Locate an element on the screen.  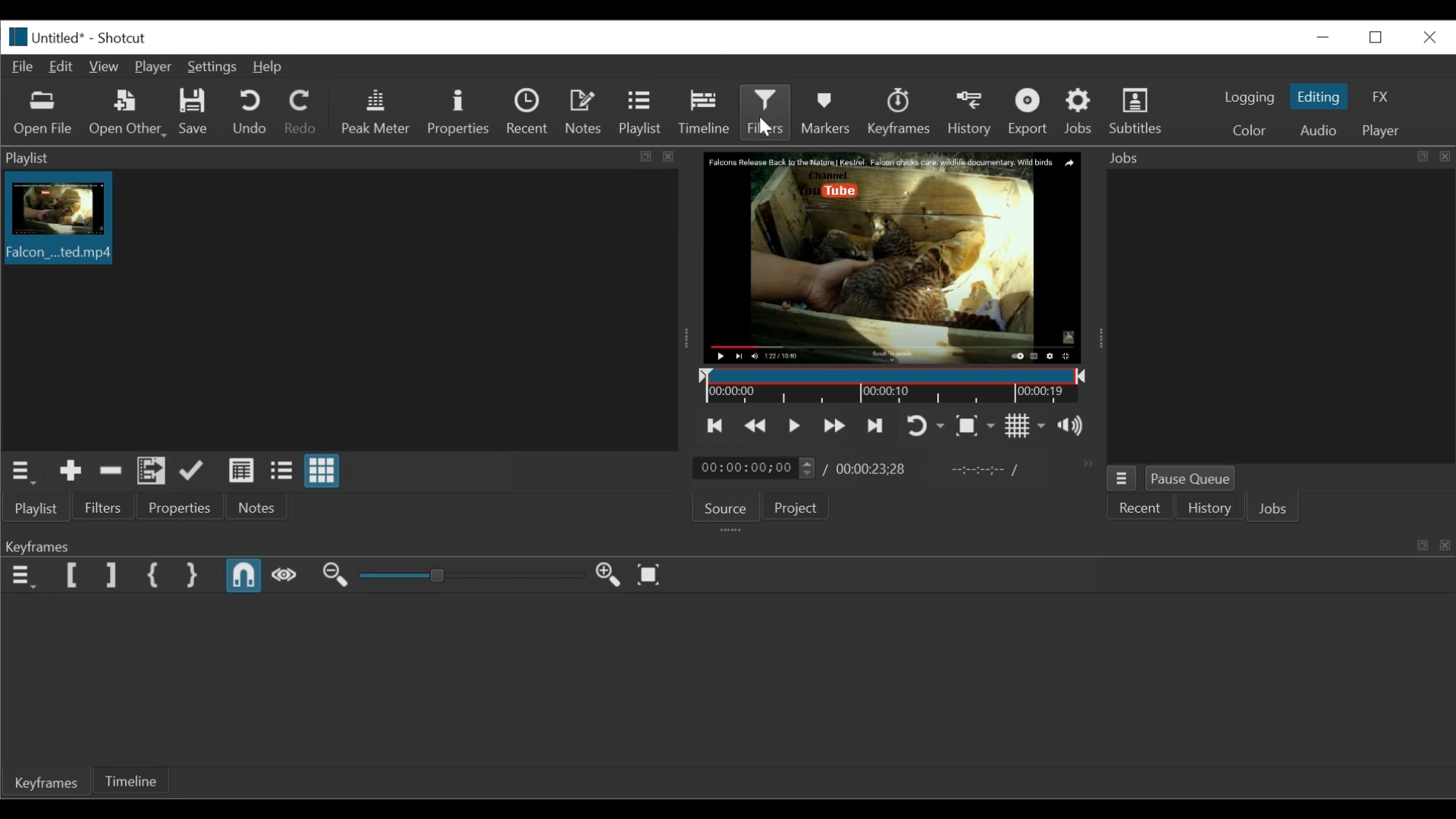
Jobs is located at coordinates (1079, 113).